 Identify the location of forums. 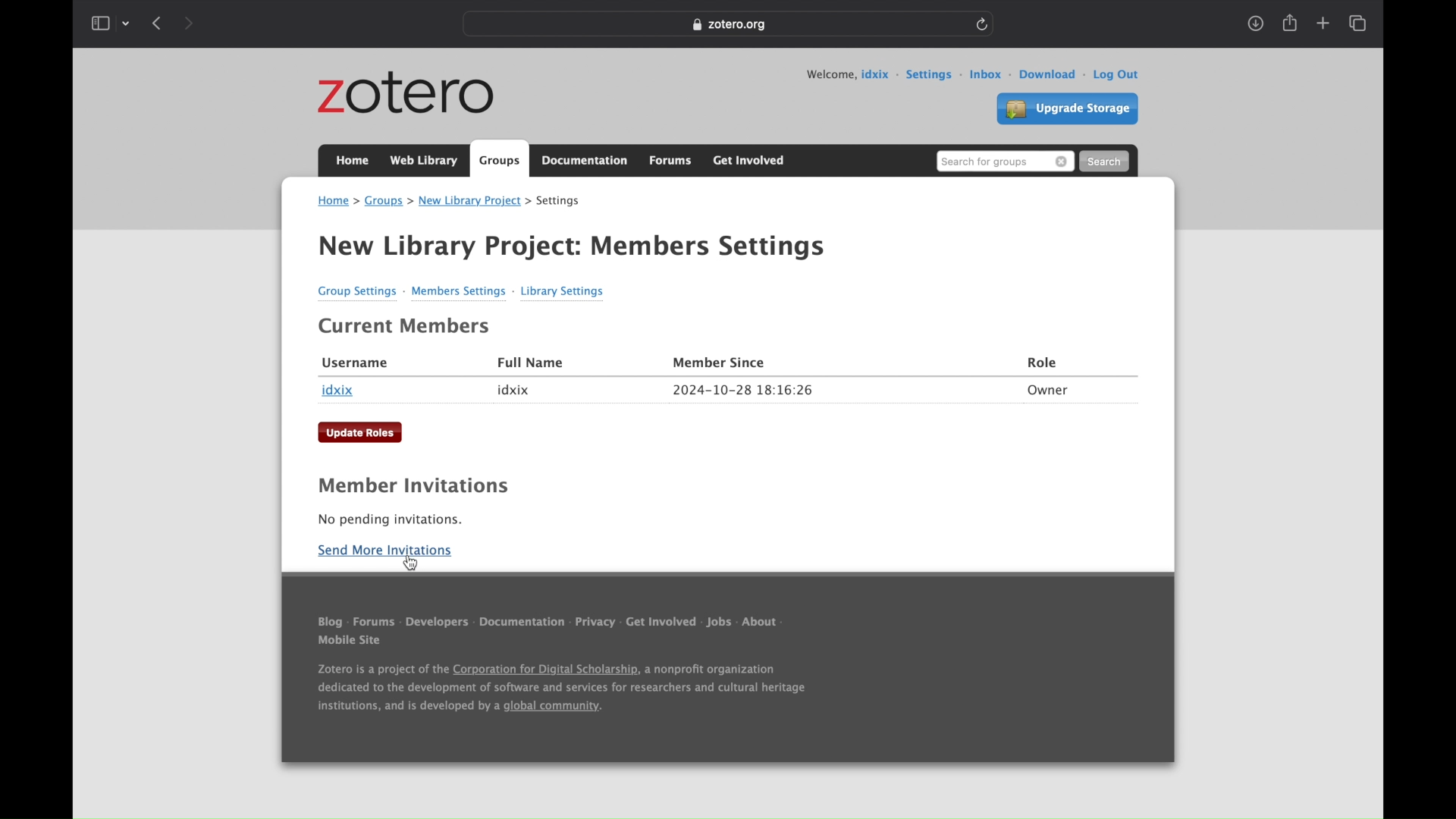
(374, 621).